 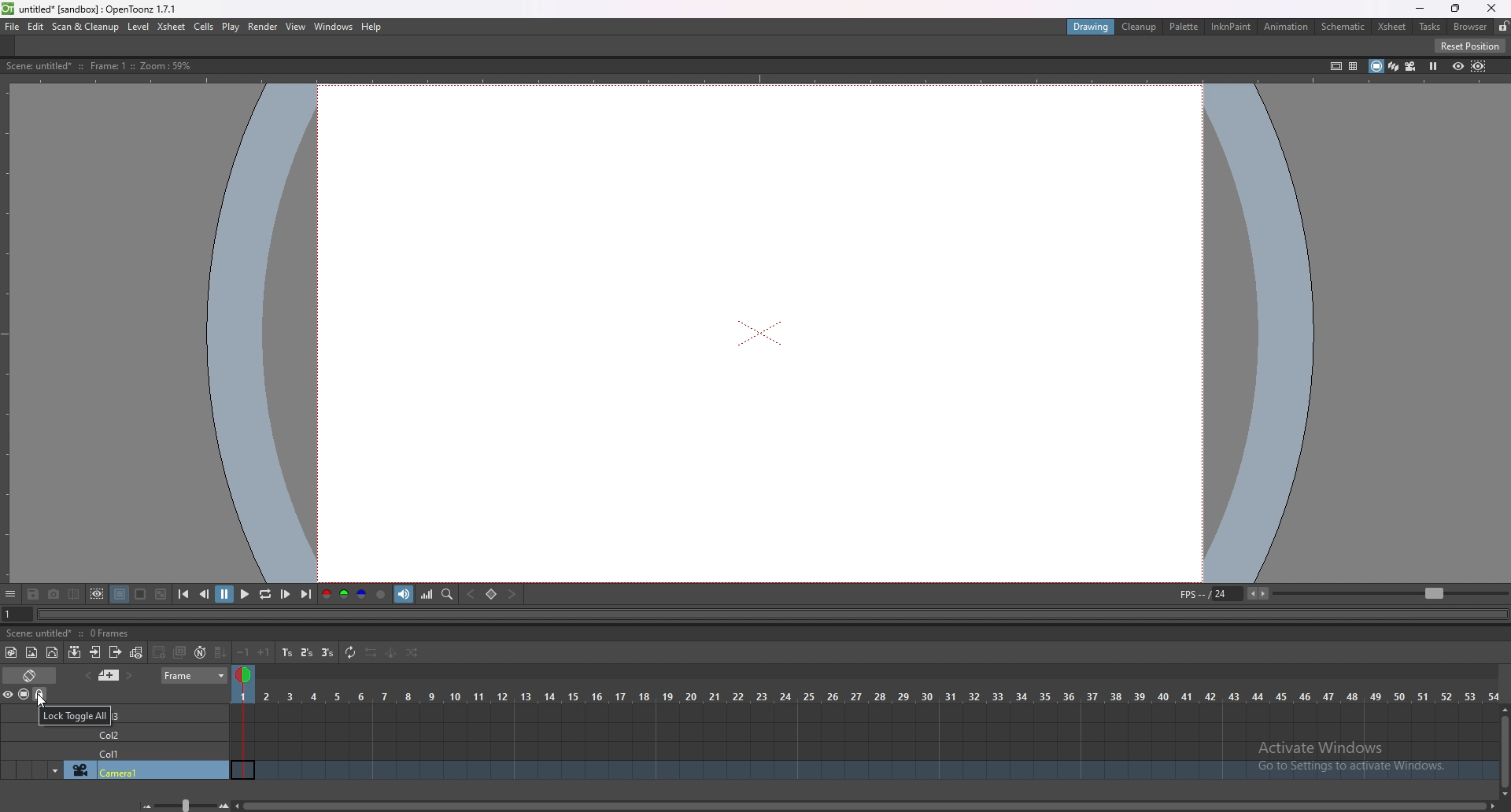 What do you see at coordinates (86, 27) in the screenshot?
I see `scan and cleanup` at bounding box center [86, 27].